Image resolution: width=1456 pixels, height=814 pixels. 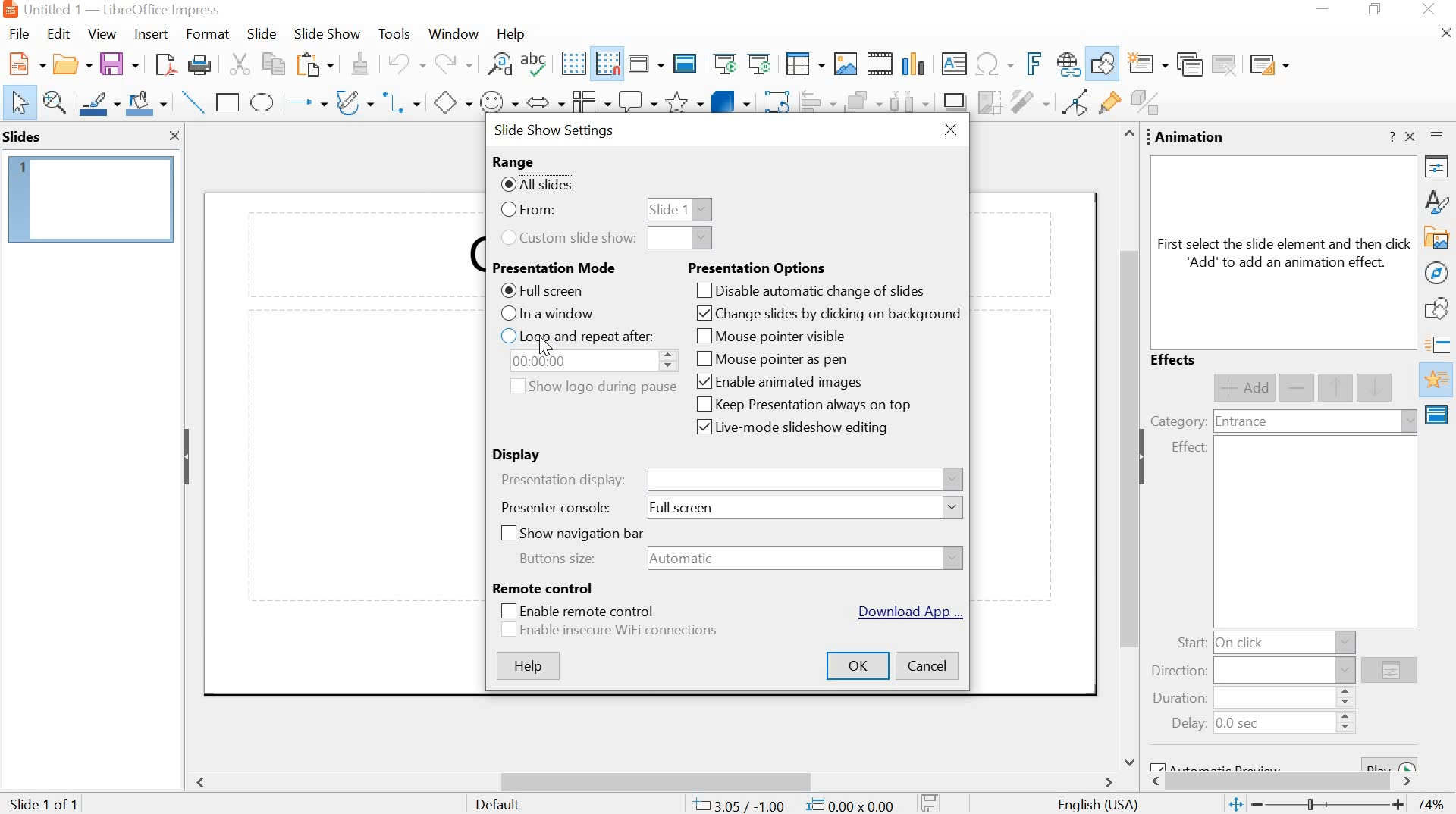 What do you see at coordinates (1378, 11) in the screenshot?
I see `maximize` at bounding box center [1378, 11].